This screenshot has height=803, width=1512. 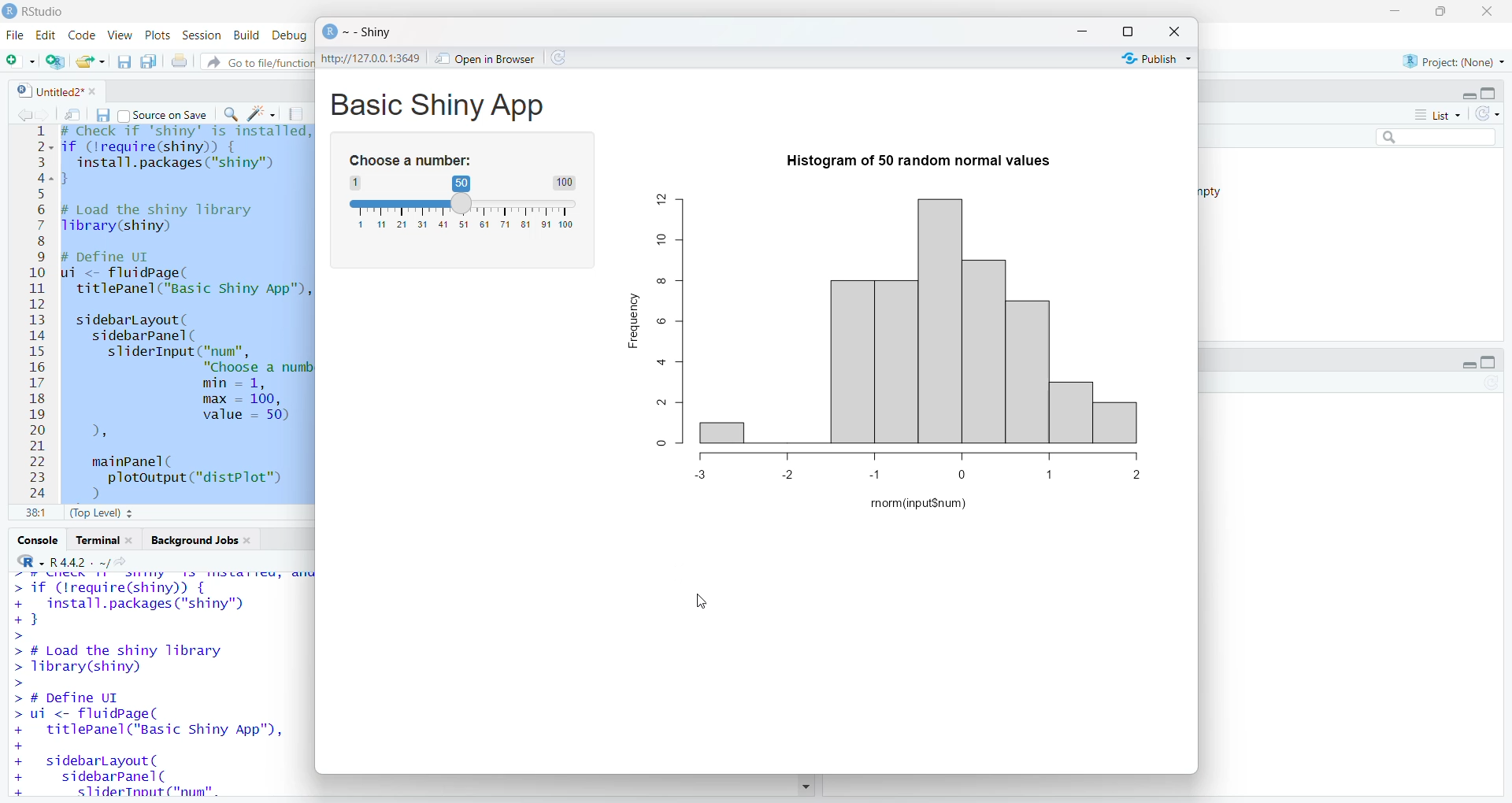 What do you see at coordinates (919, 504) in the screenshot?
I see `morm(input$num)` at bounding box center [919, 504].